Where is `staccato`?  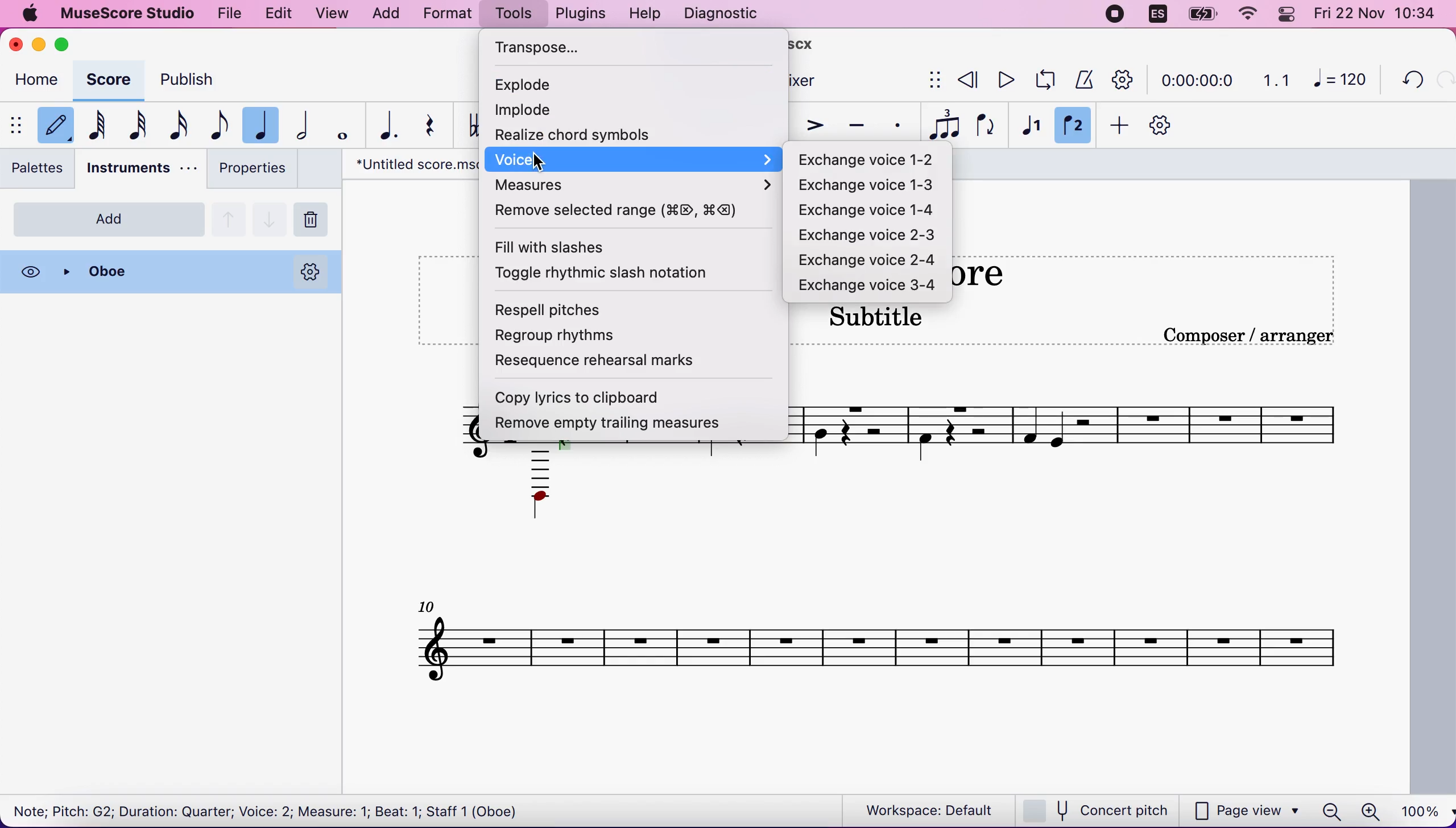 staccato is located at coordinates (897, 125).